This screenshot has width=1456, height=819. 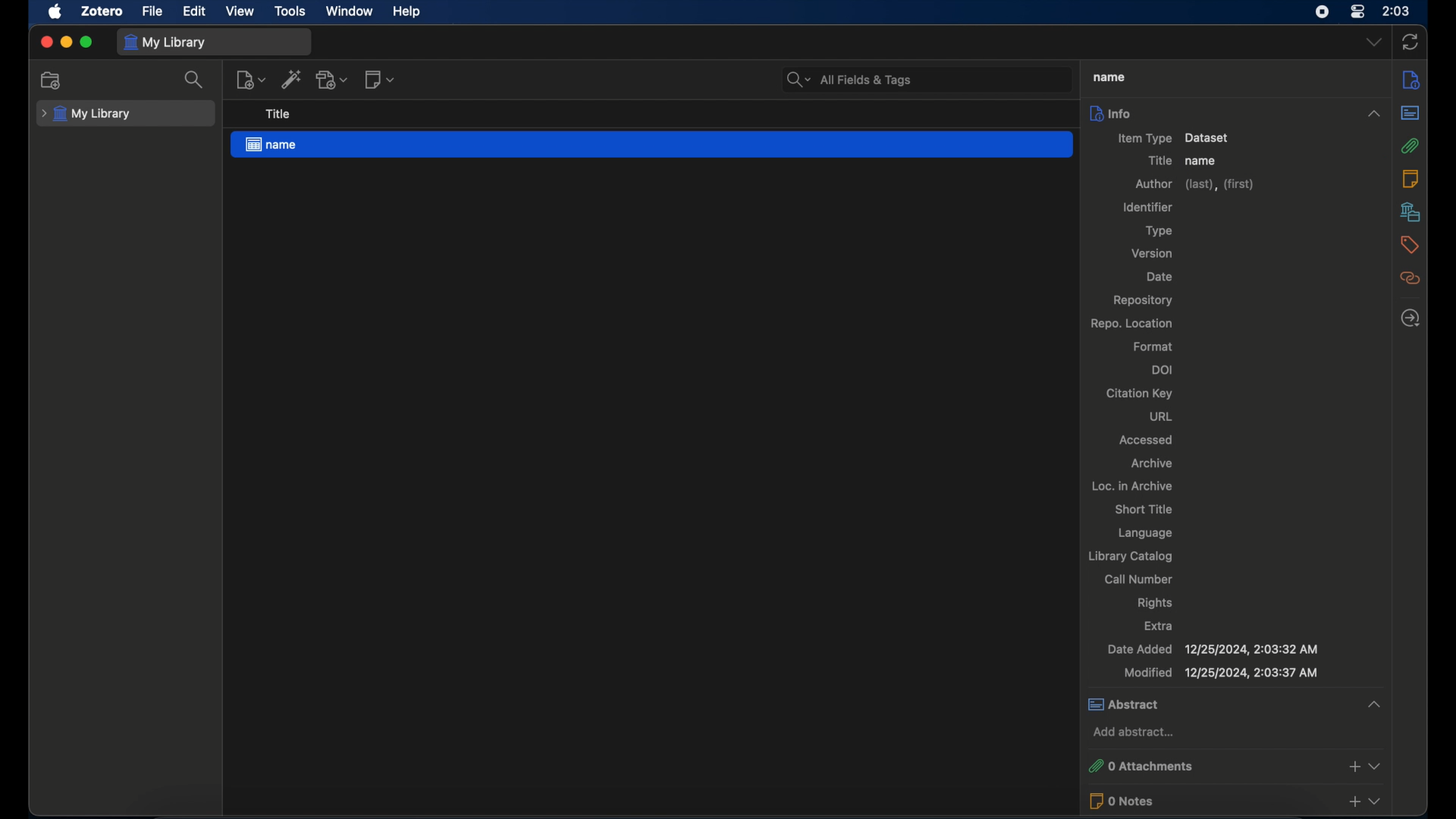 What do you see at coordinates (1147, 208) in the screenshot?
I see `identifier` at bounding box center [1147, 208].